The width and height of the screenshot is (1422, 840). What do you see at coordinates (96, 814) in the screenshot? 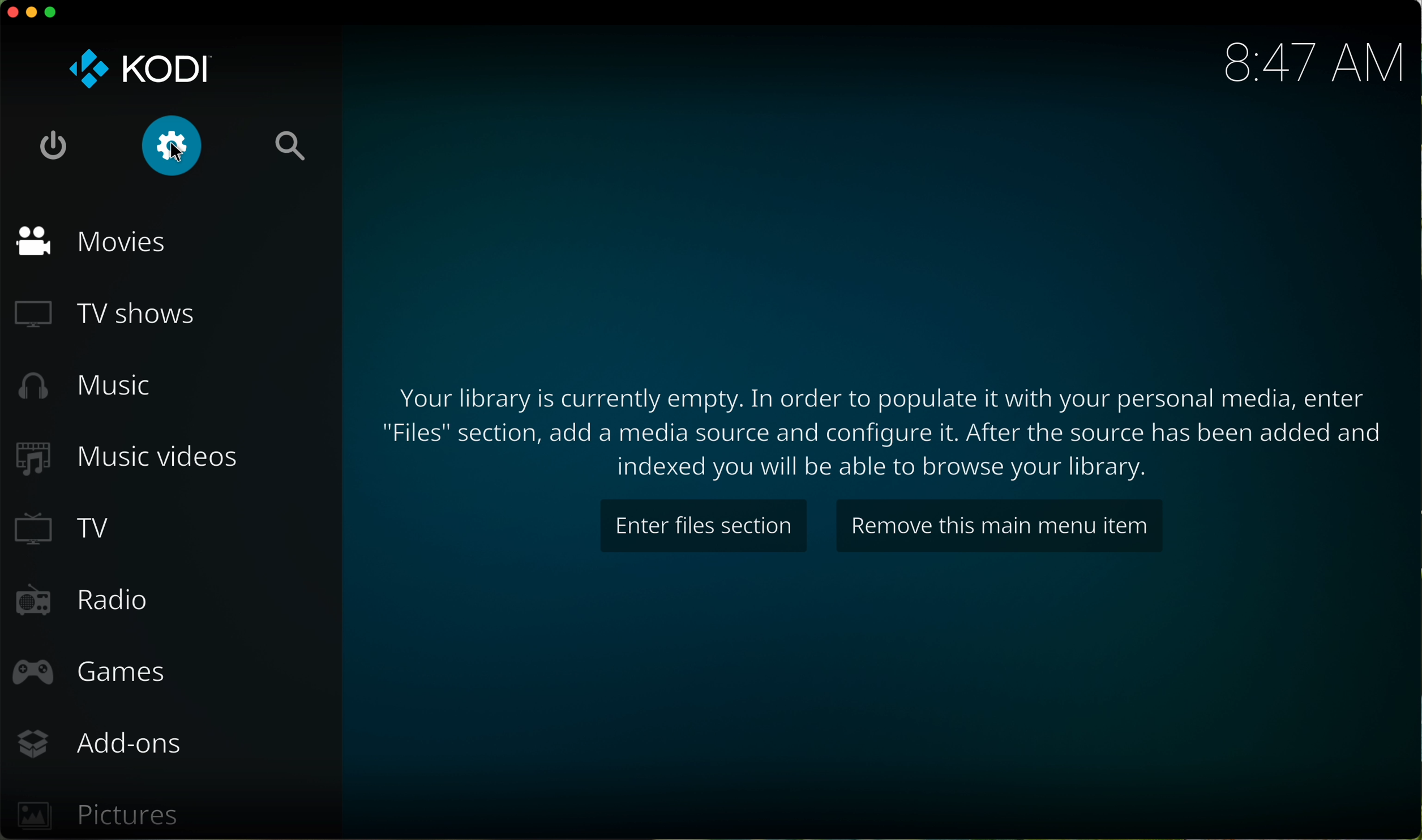
I see `pictures` at bounding box center [96, 814].